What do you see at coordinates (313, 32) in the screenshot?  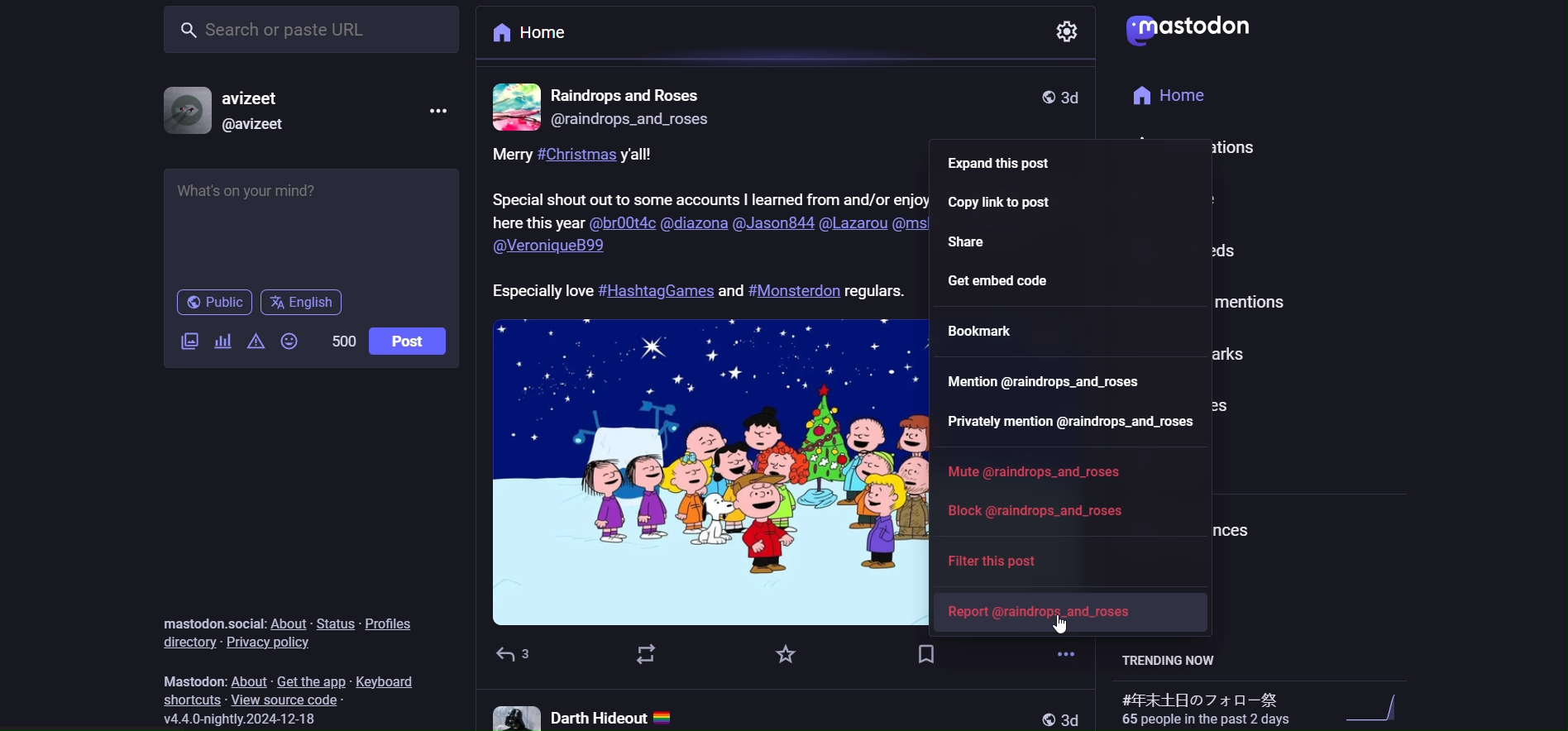 I see `search` at bounding box center [313, 32].